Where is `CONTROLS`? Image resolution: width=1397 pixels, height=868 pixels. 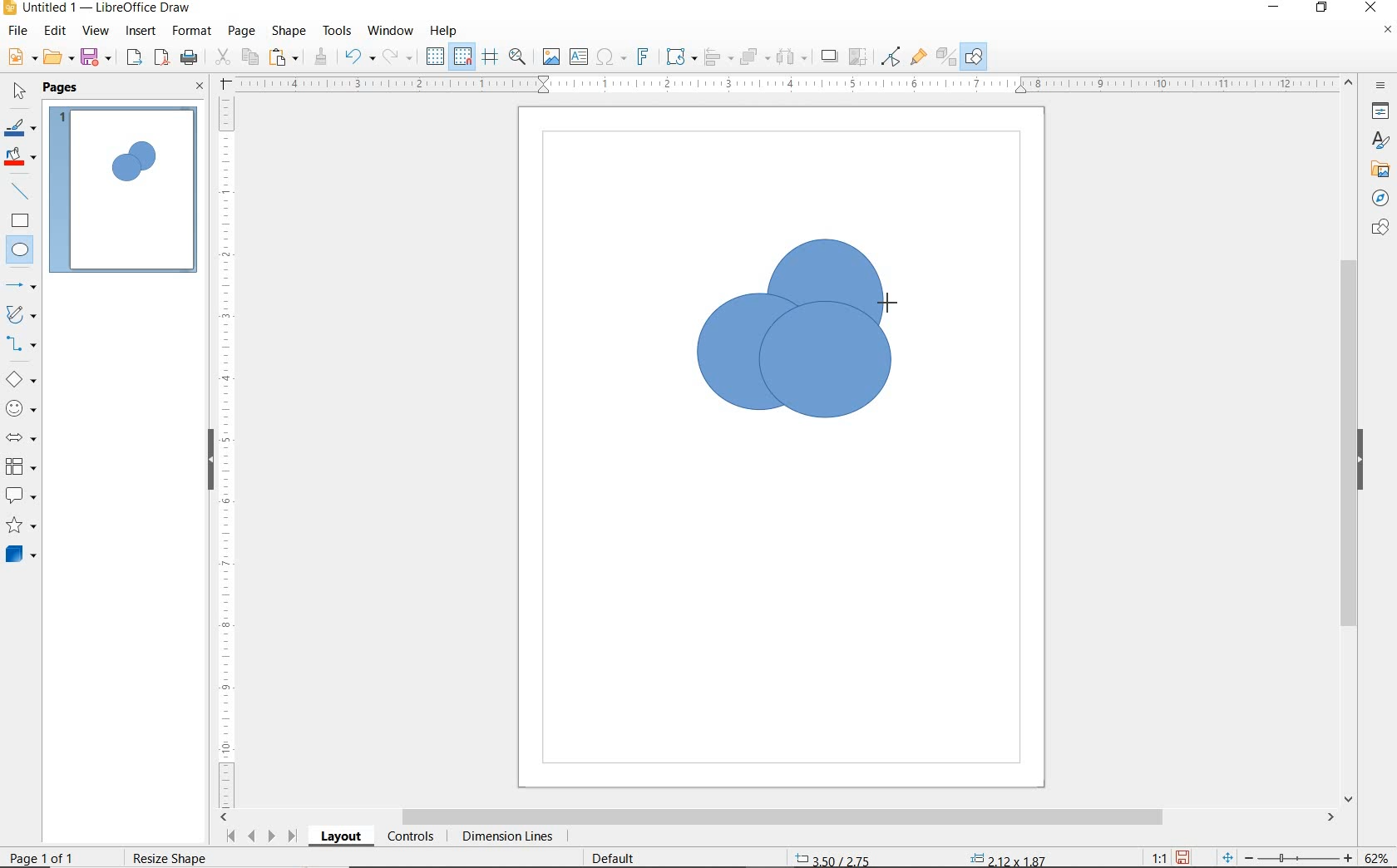 CONTROLS is located at coordinates (412, 838).